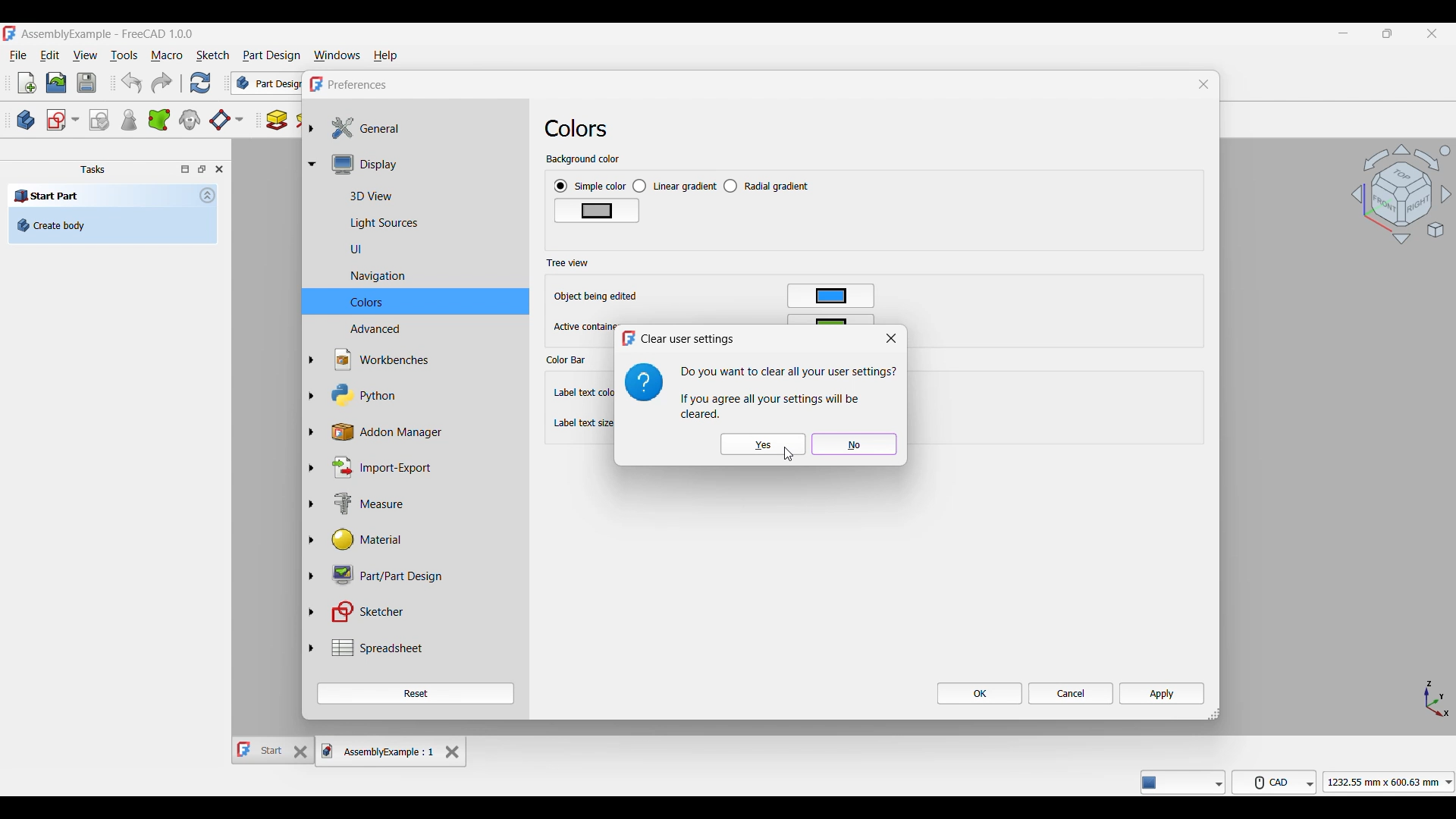 The height and width of the screenshot is (819, 1456). What do you see at coordinates (361, 612) in the screenshot?
I see `Sketcher` at bounding box center [361, 612].